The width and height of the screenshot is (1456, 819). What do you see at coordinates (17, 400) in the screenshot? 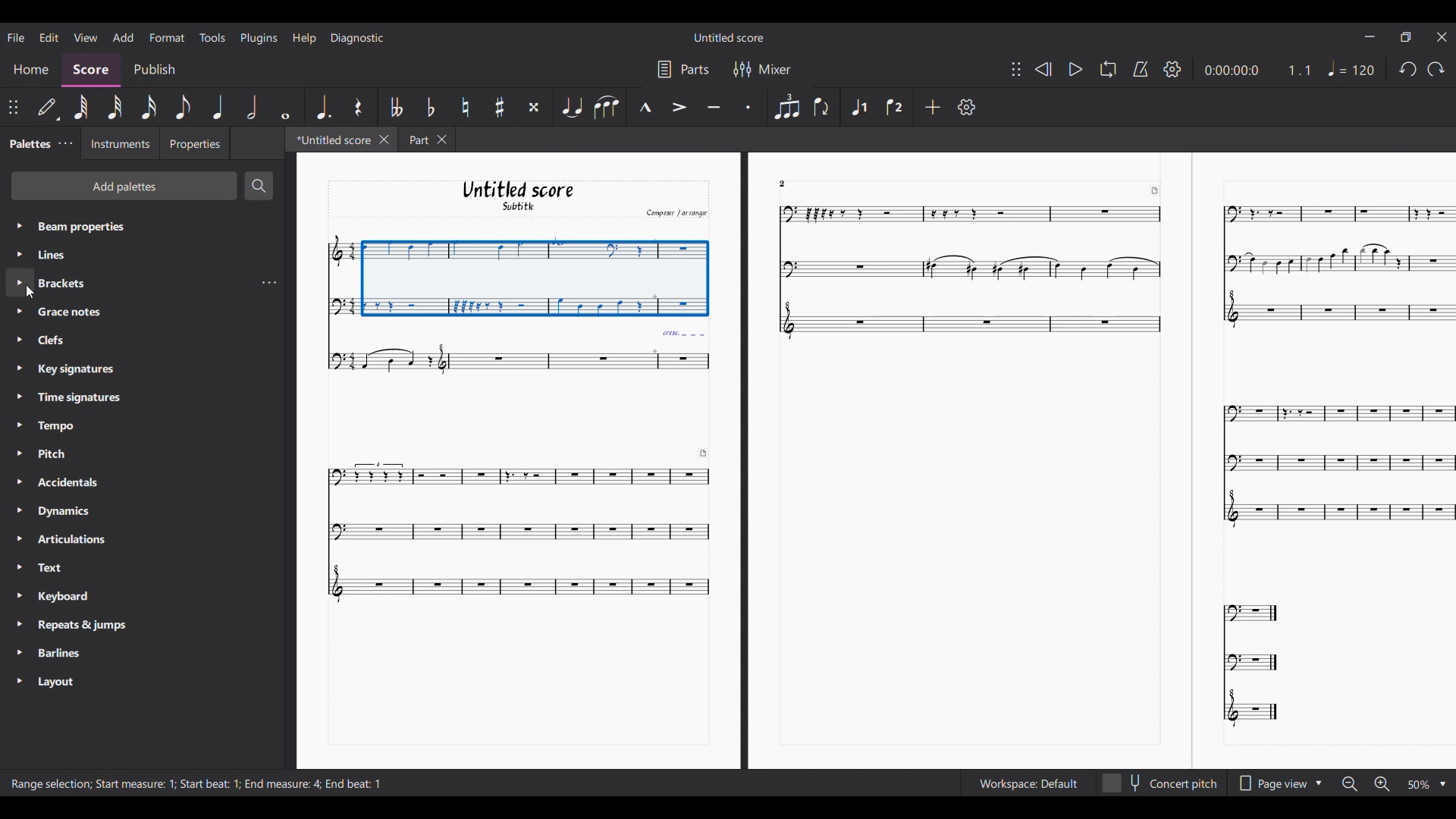
I see `` at bounding box center [17, 400].